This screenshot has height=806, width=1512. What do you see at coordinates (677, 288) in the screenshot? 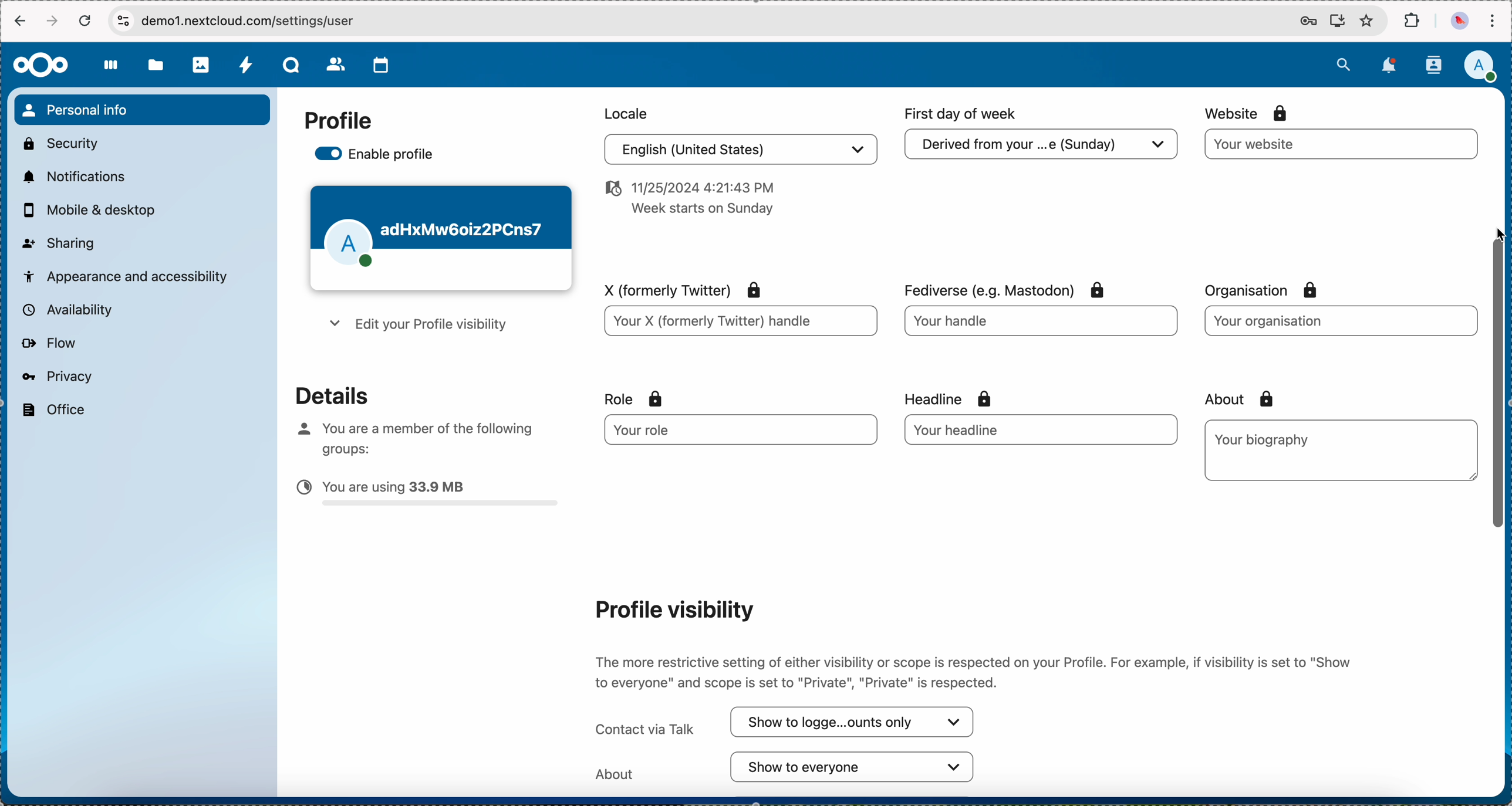
I see `x` at bounding box center [677, 288].